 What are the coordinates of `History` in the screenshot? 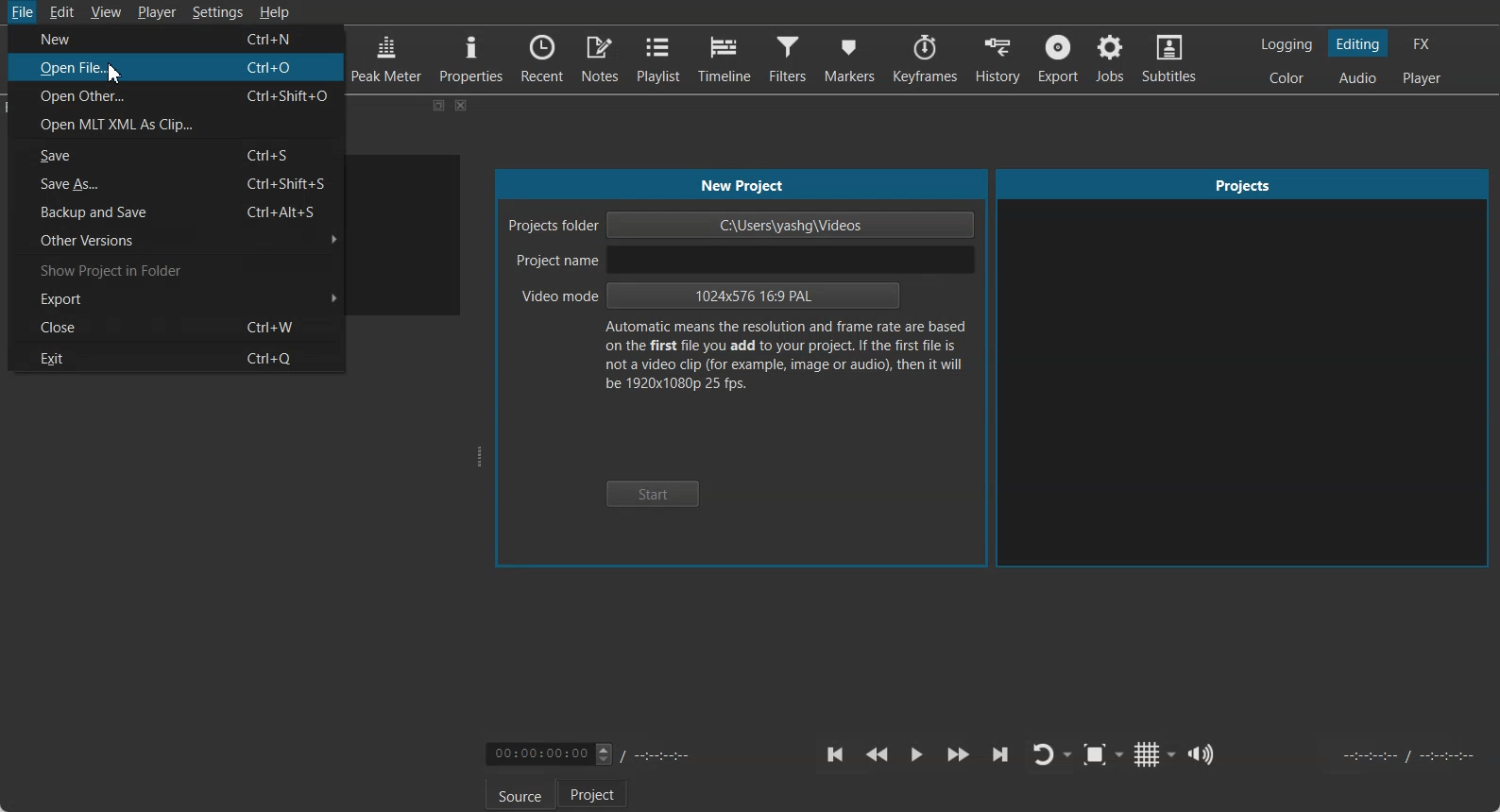 It's located at (997, 59).